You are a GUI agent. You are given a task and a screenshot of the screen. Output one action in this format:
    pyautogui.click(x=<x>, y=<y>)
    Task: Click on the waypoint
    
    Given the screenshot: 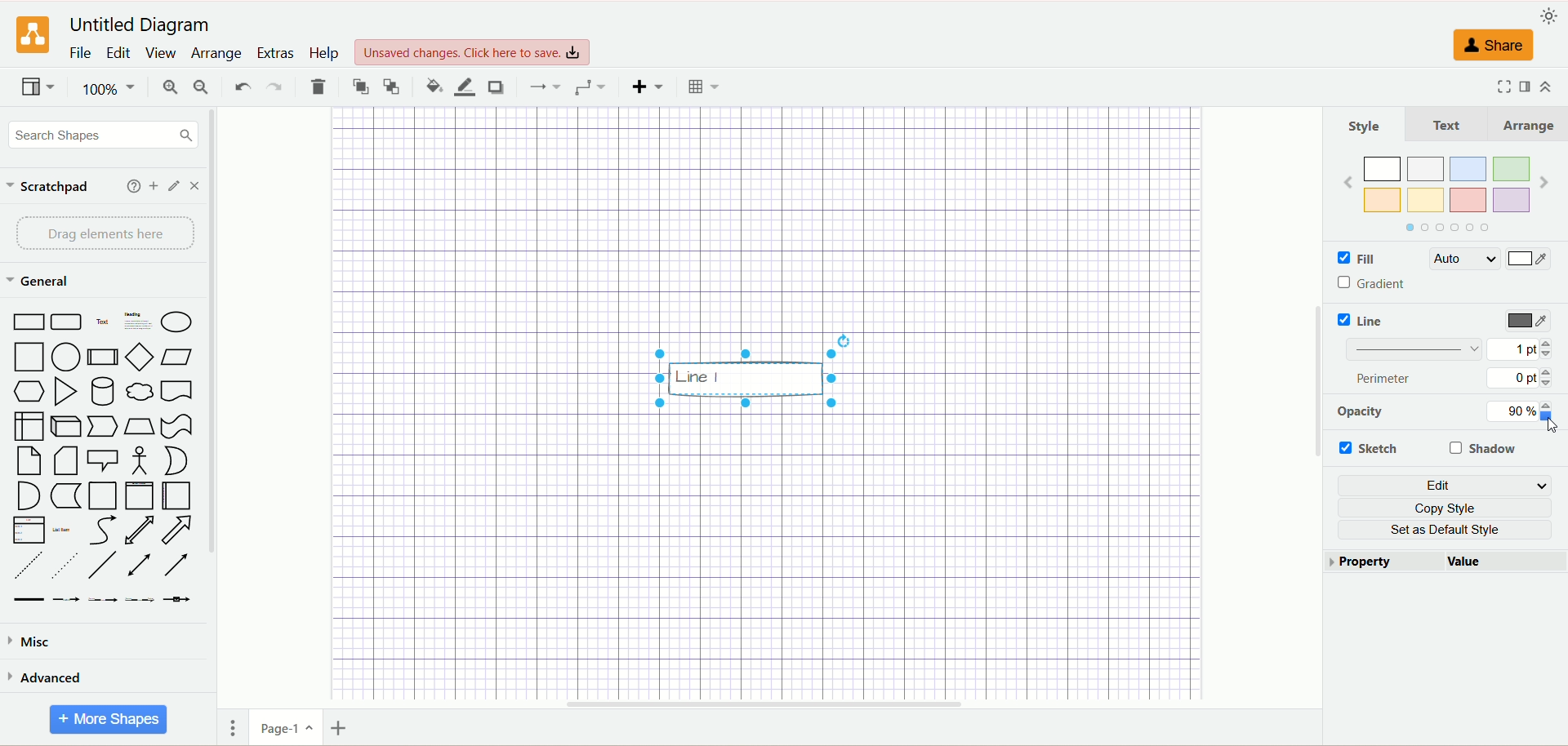 What is the action you would take?
    pyautogui.click(x=589, y=87)
    